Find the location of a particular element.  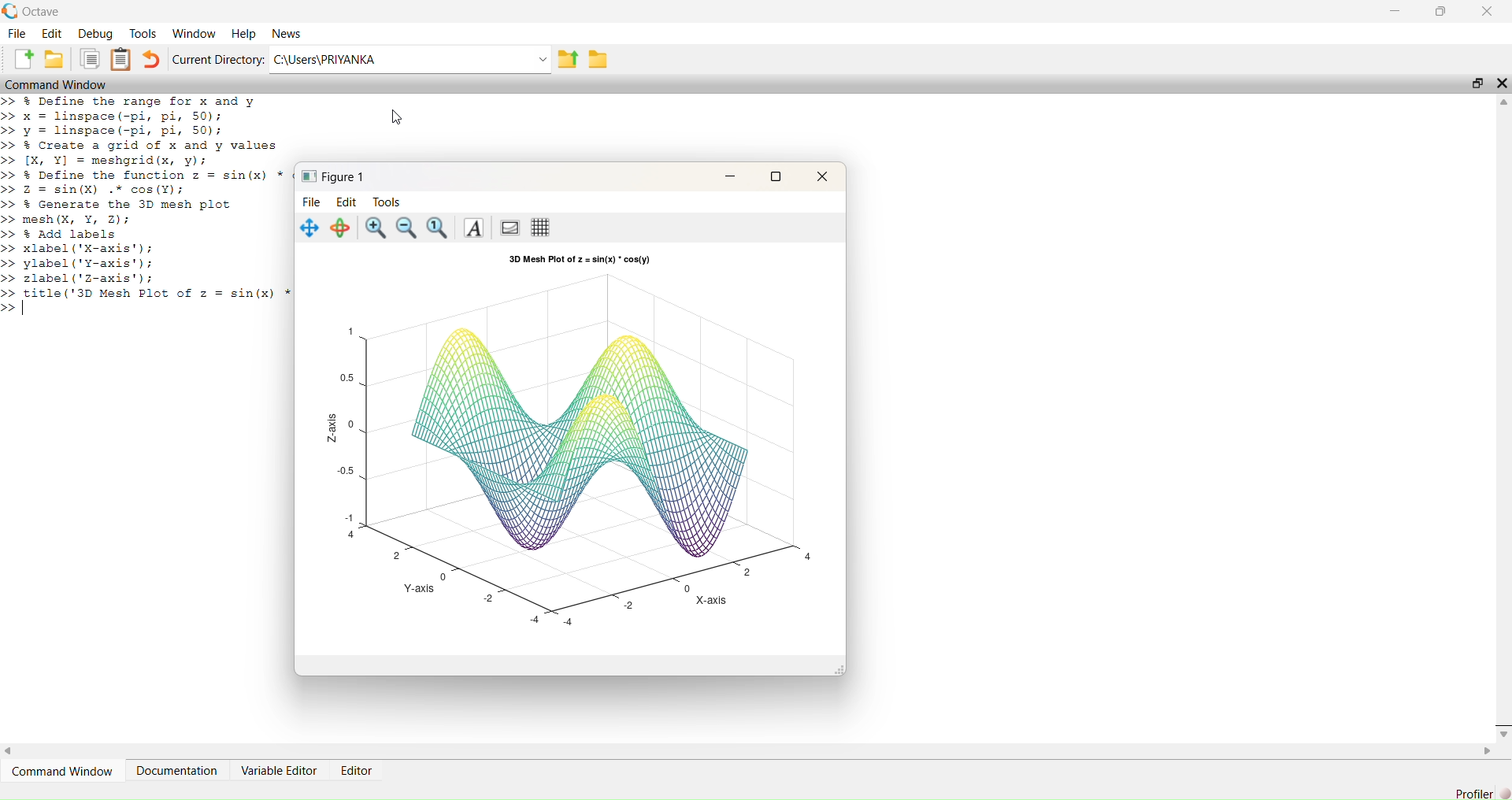

Workflow is located at coordinates (195, 34).